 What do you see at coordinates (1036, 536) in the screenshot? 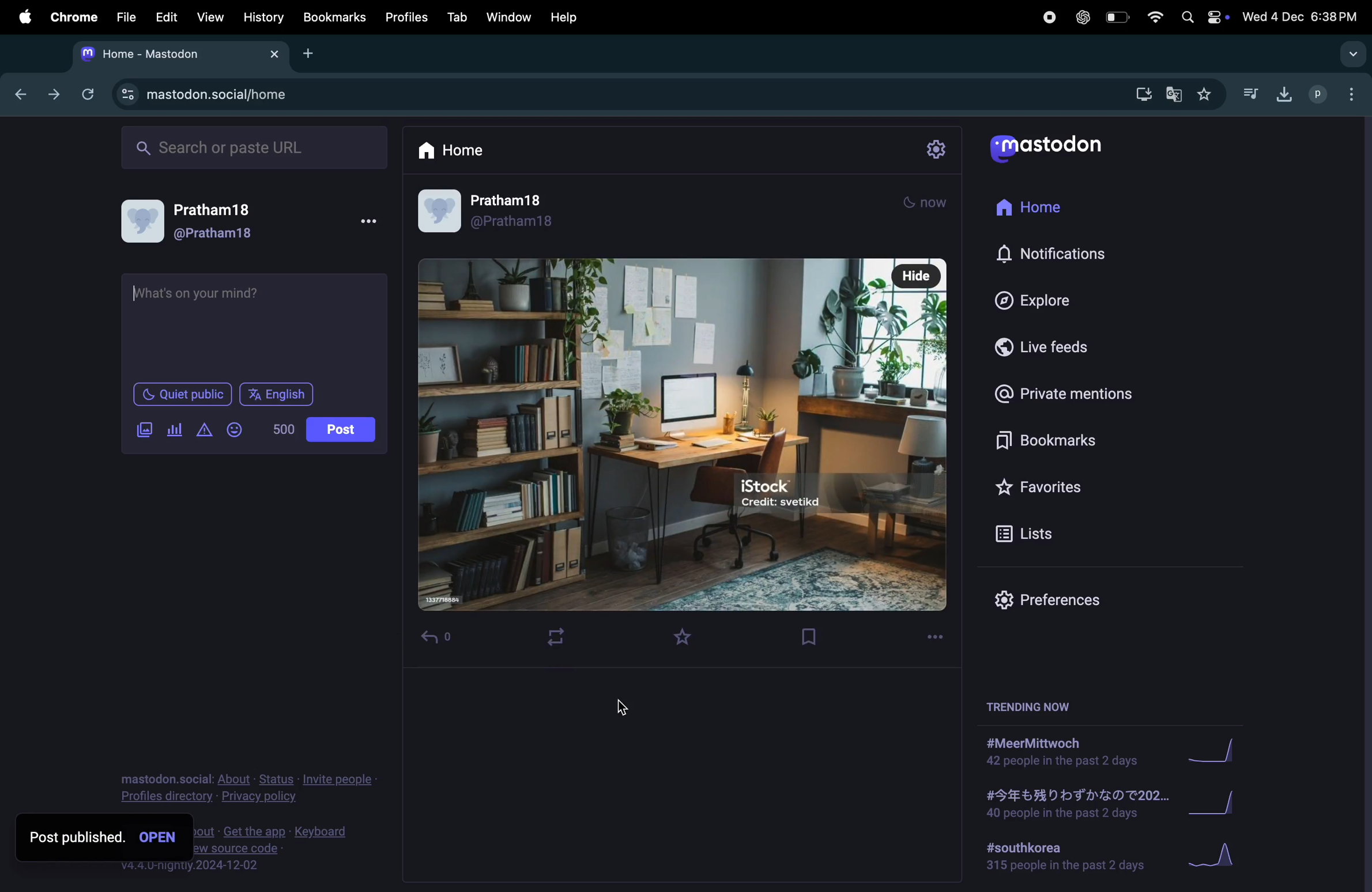
I see `lists` at bounding box center [1036, 536].